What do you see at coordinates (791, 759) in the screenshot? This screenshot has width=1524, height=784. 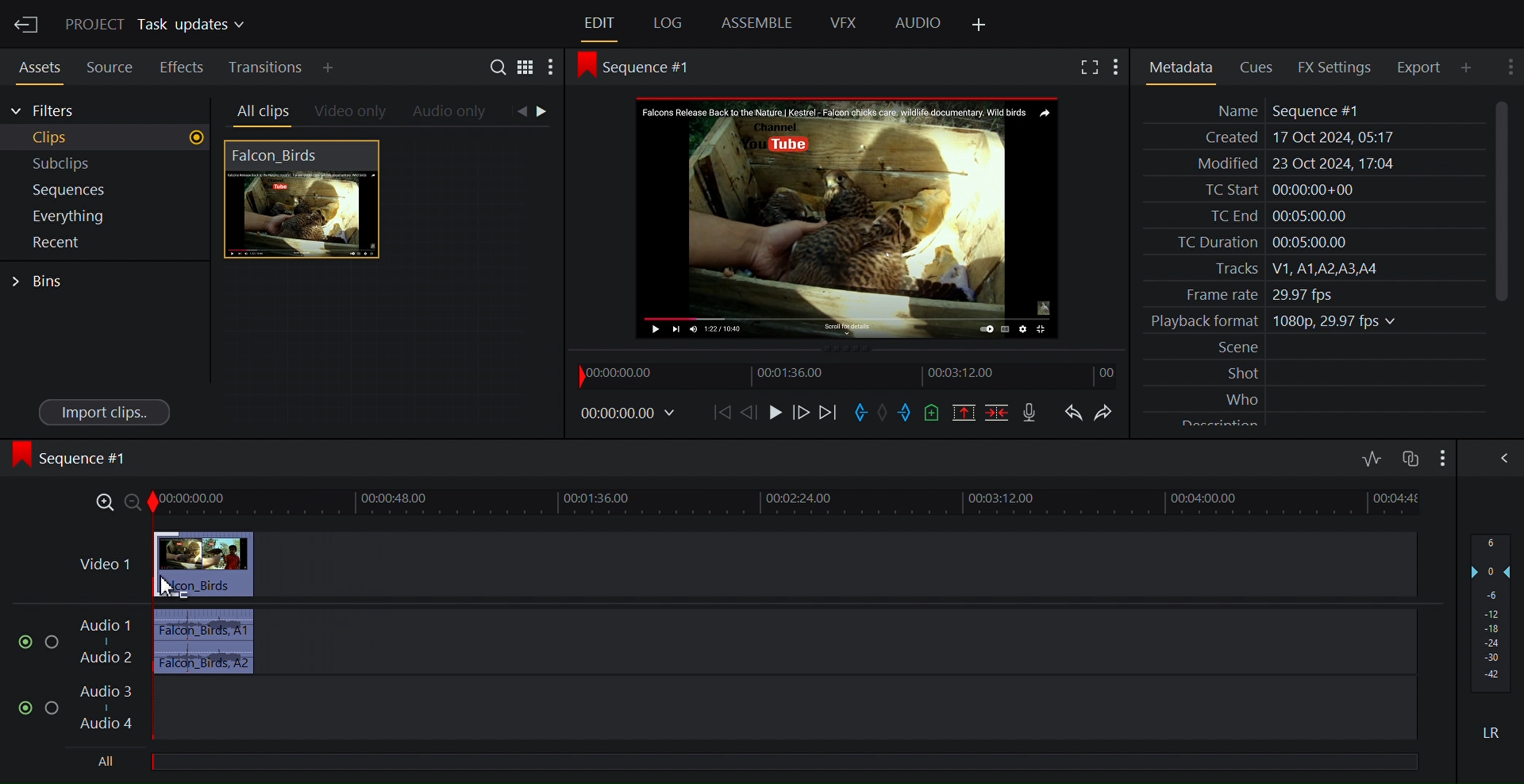 I see `All` at bounding box center [791, 759].